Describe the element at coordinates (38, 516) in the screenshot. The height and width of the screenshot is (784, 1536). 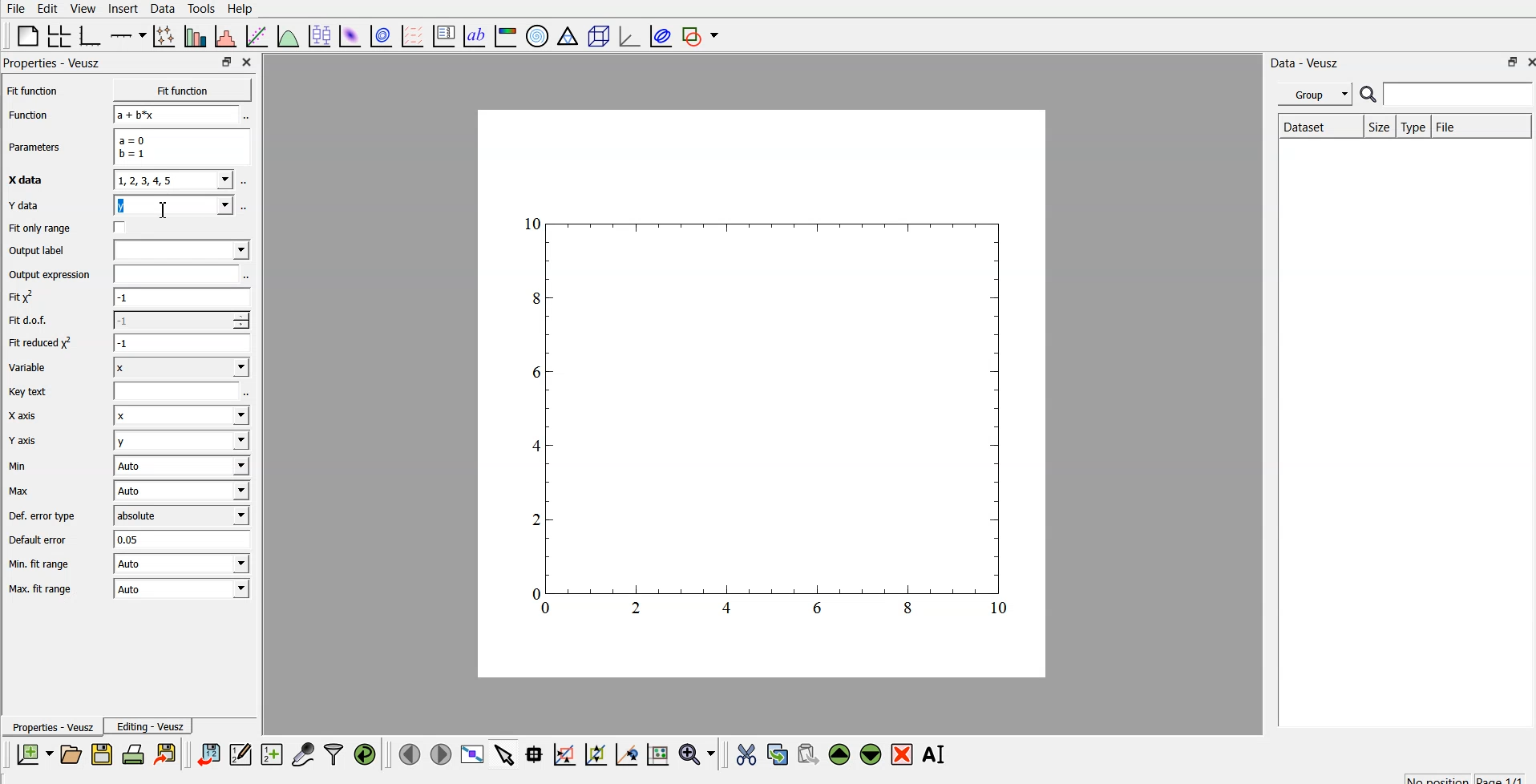
I see `Def. error type` at that location.